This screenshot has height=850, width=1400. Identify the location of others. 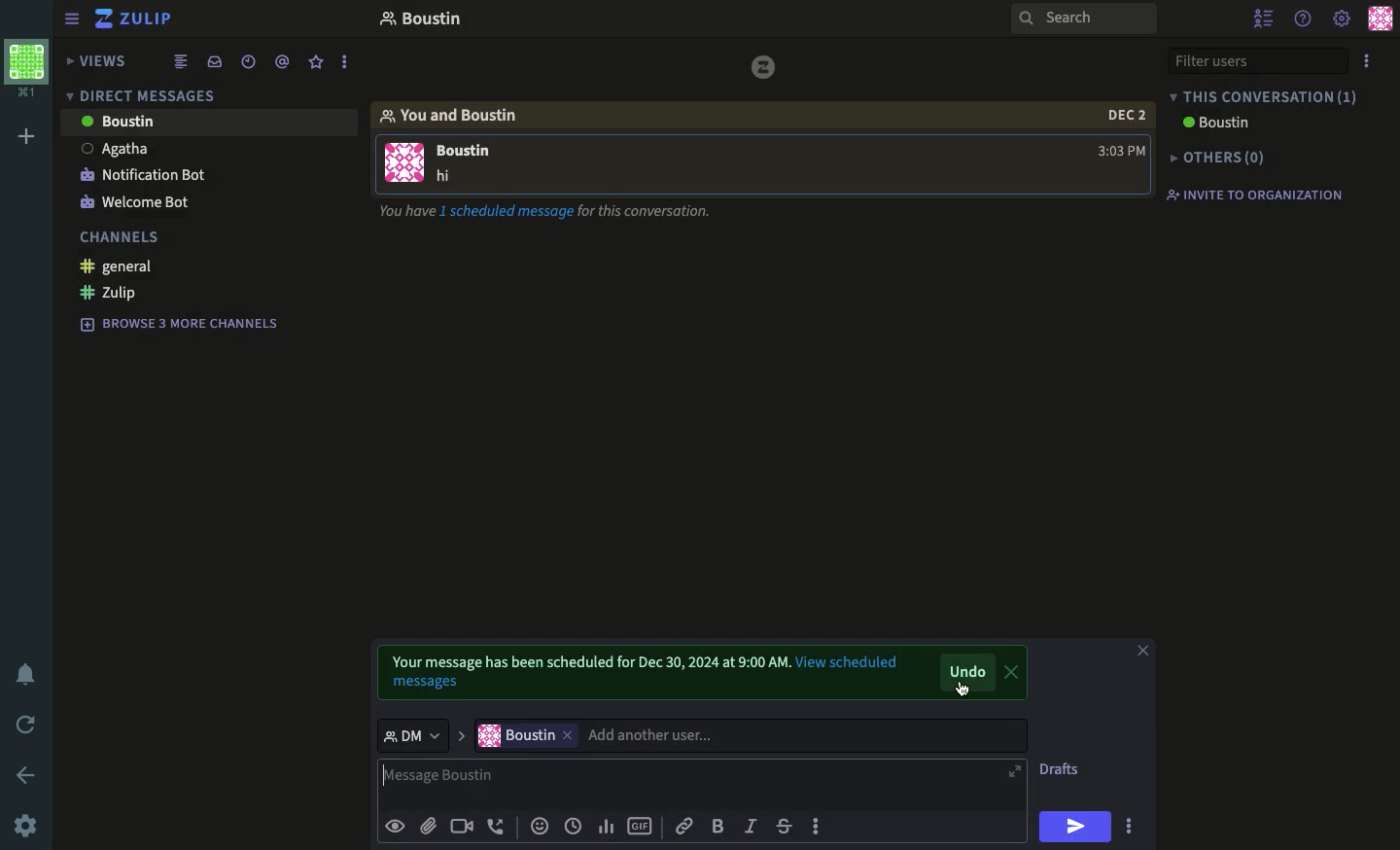
(1226, 155).